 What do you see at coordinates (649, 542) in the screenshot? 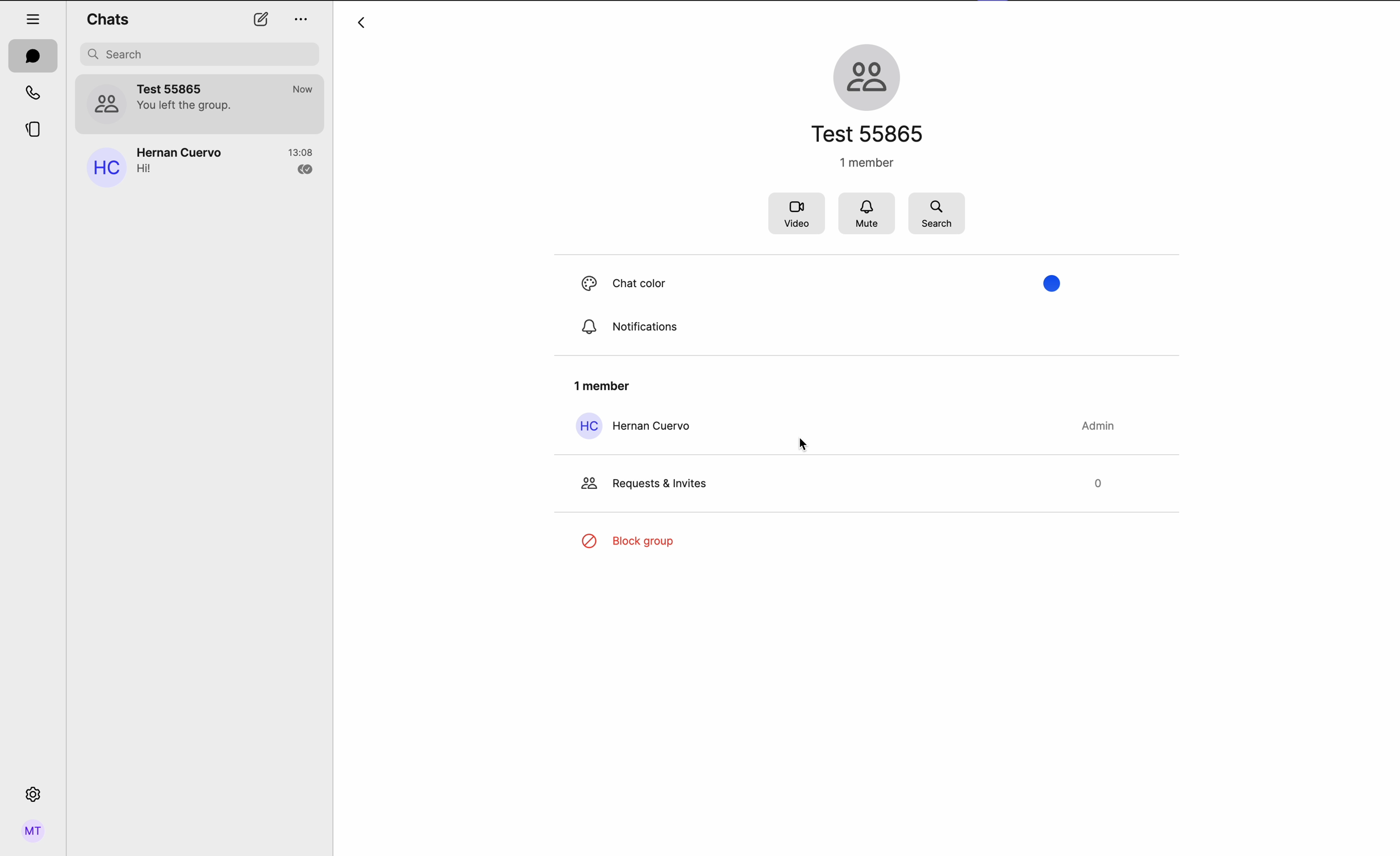
I see `Block group` at bounding box center [649, 542].